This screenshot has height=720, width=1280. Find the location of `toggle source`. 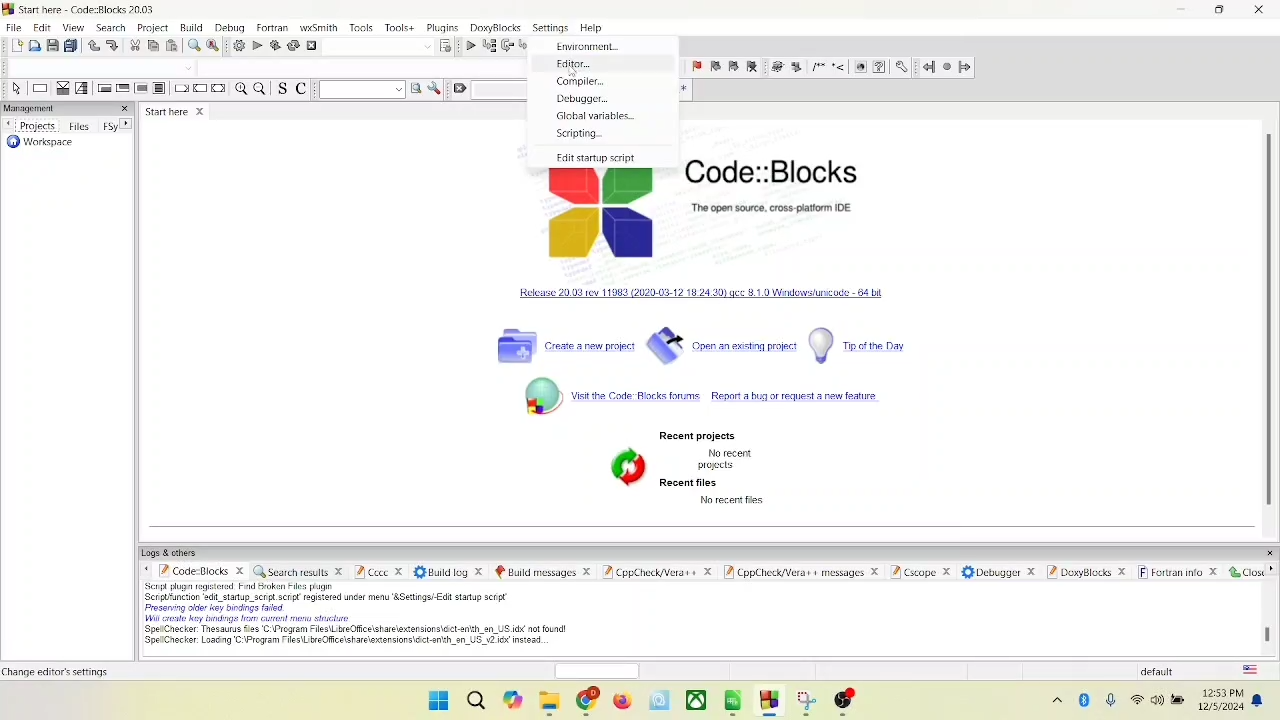

toggle source is located at coordinates (280, 86).